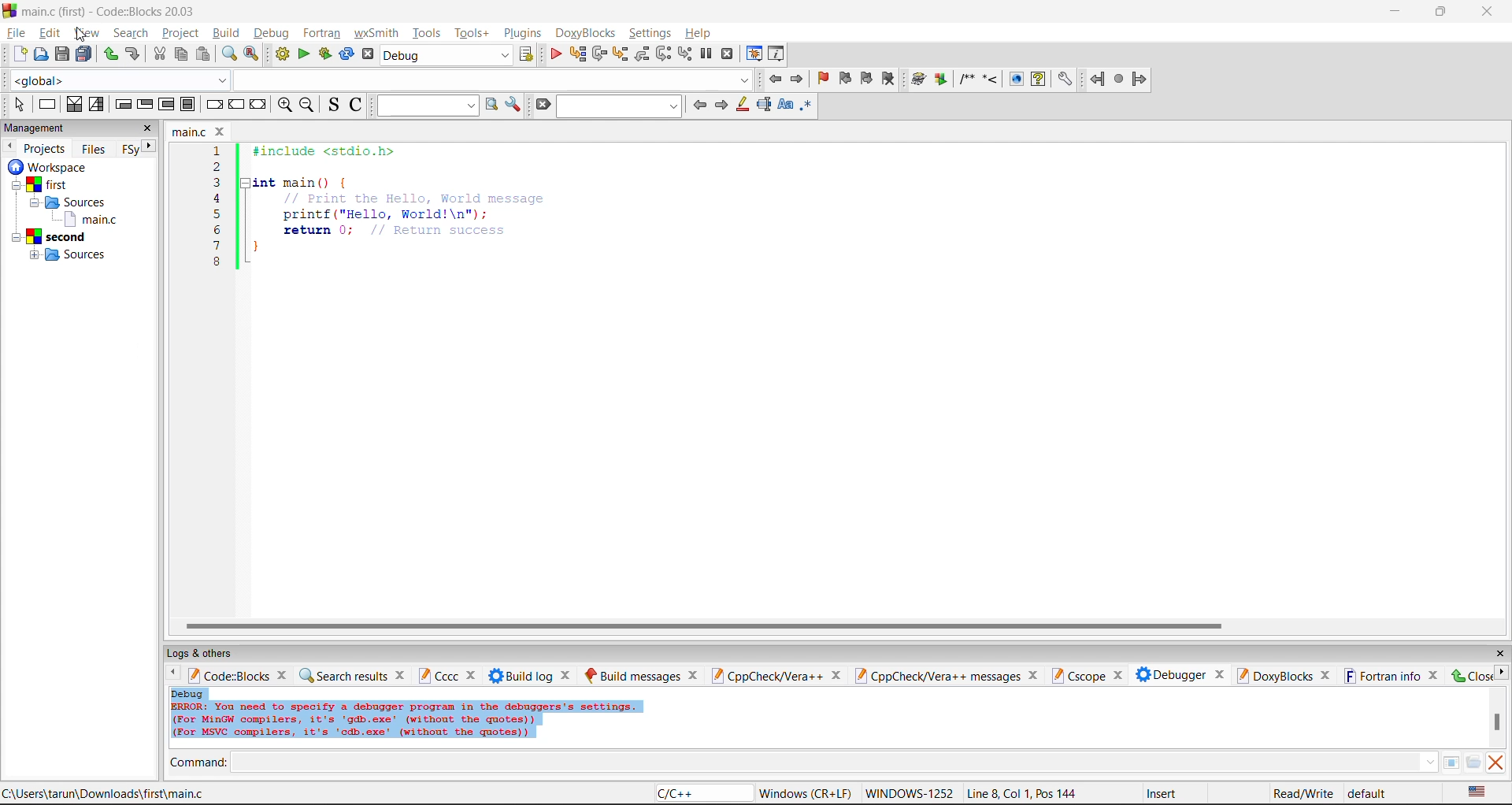 The image size is (1512, 805). Describe the element at coordinates (132, 150) in the screenshot. I see `FSy` at that location.